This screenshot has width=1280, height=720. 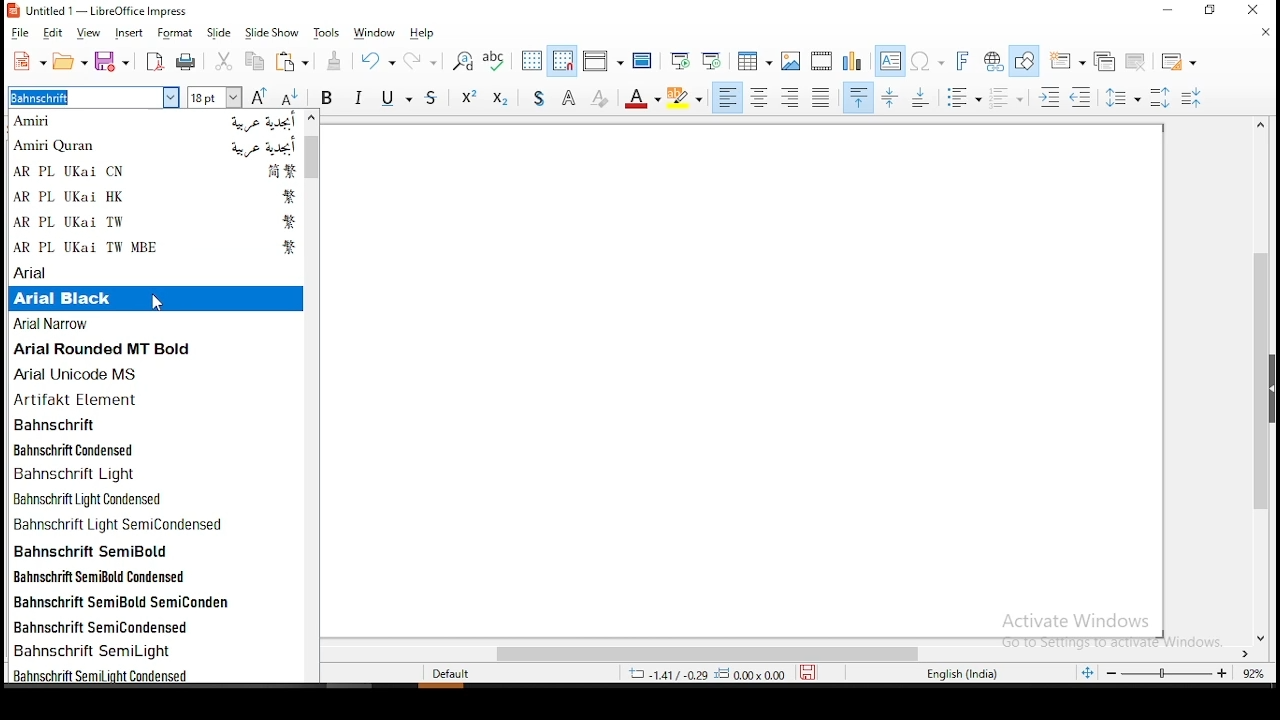 What do you see at coordinates (532, 59) in the screenshot?
I see `display grid` at bounding box center [532, 59].